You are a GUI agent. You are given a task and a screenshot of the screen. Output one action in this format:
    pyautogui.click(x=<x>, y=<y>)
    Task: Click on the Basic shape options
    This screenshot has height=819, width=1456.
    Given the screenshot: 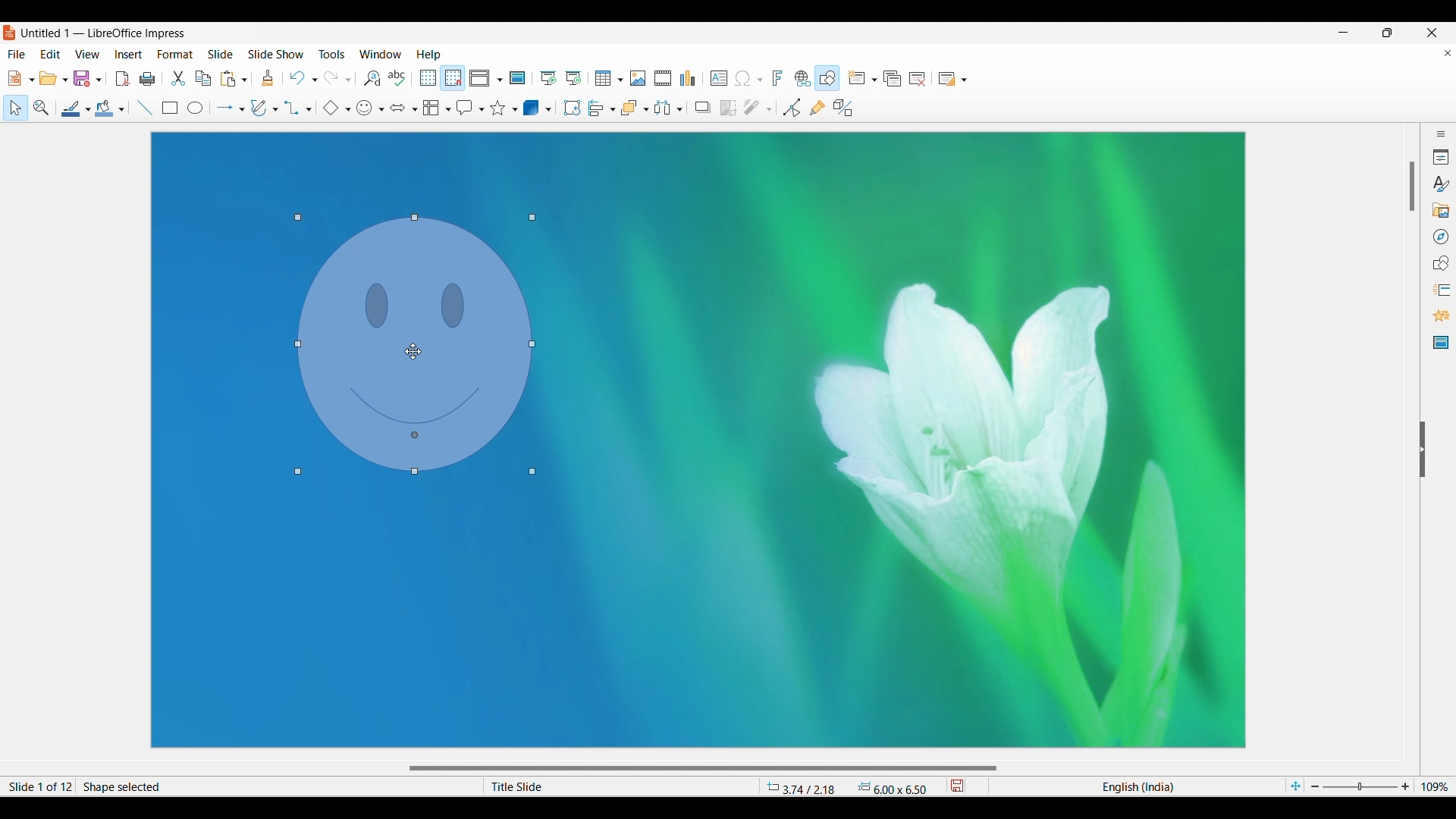 What is the action you would take?
    pyautogui.click(x=348, y=109)
    